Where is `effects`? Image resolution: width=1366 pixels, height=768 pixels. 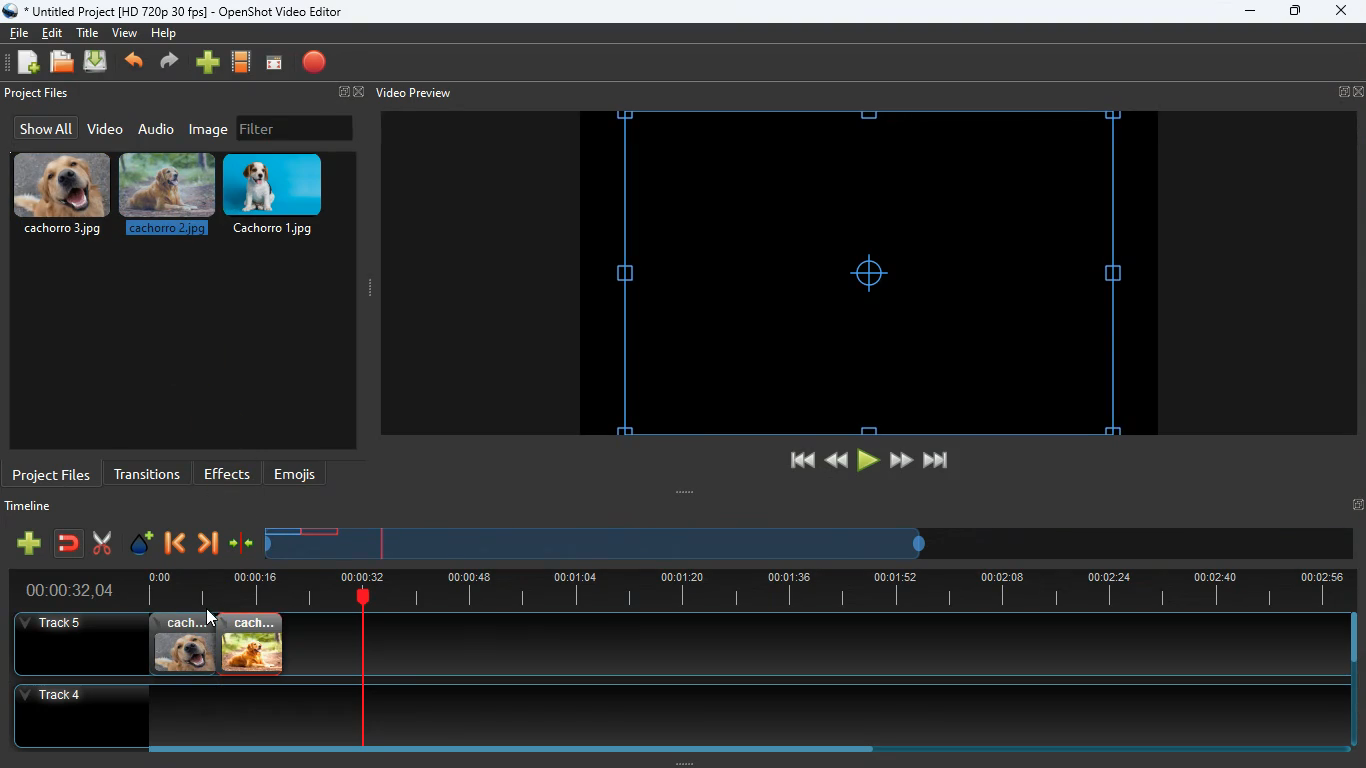
effects is located at coordinates (228, 473).